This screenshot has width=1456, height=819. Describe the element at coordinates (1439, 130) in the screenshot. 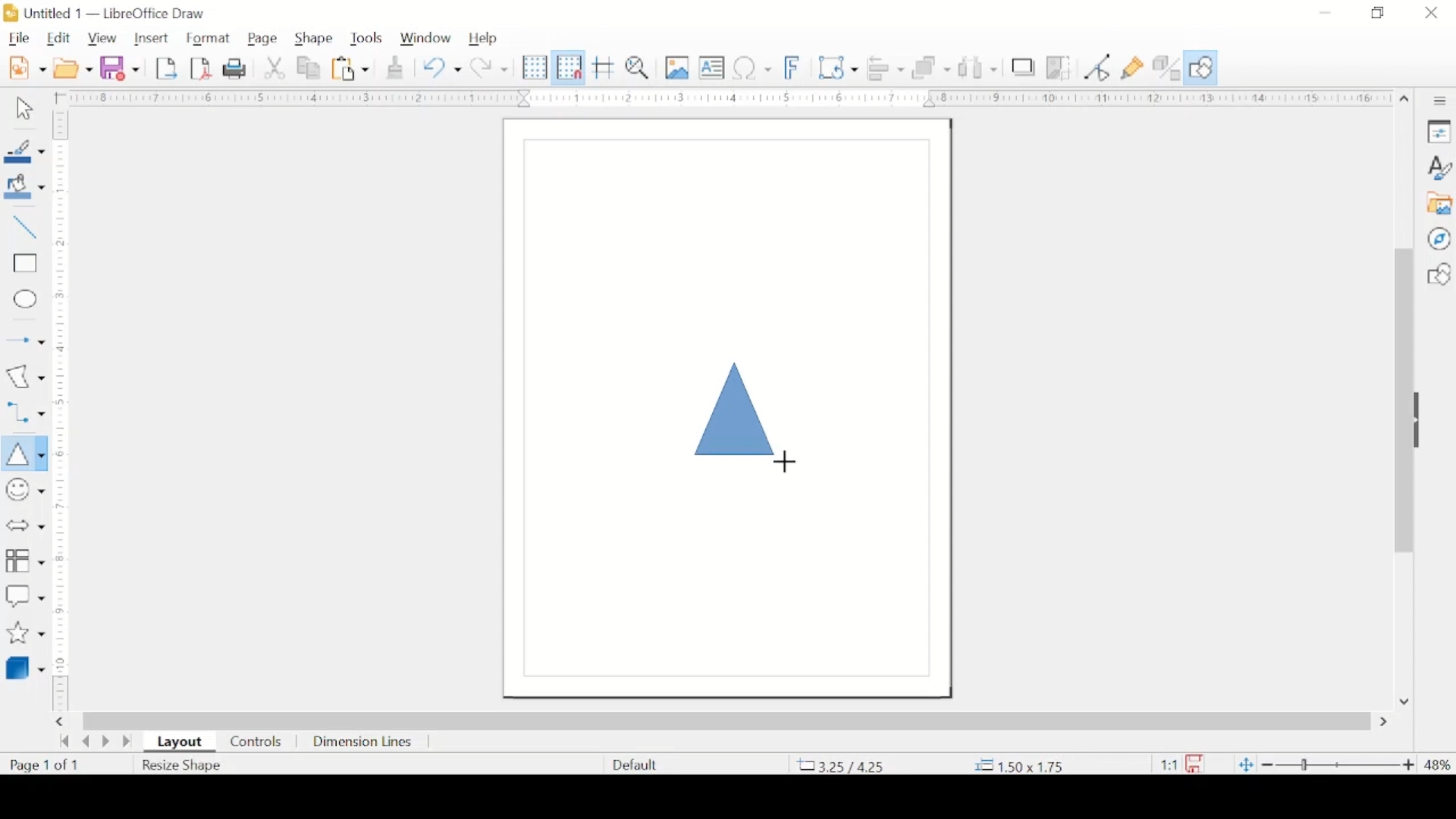

I see `properties` at that location.